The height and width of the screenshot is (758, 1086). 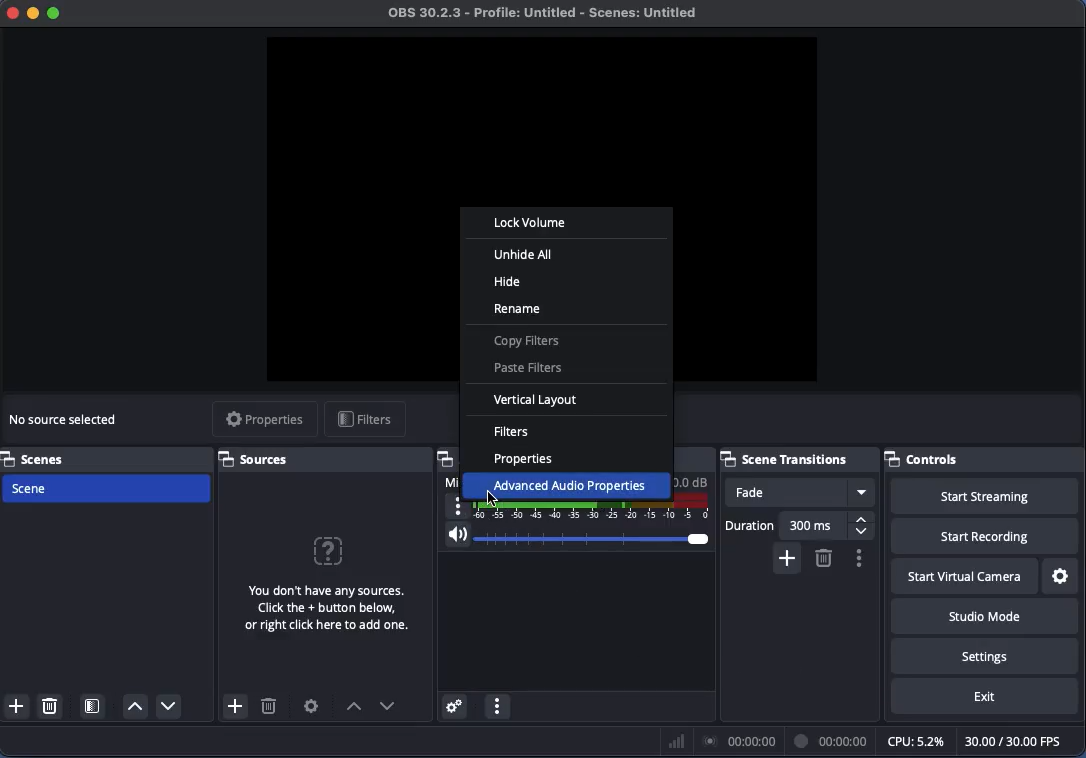 What do you see at coordinates (823, 558) in the screenshot?
I see `Delete` at bounding box center [823, 558].